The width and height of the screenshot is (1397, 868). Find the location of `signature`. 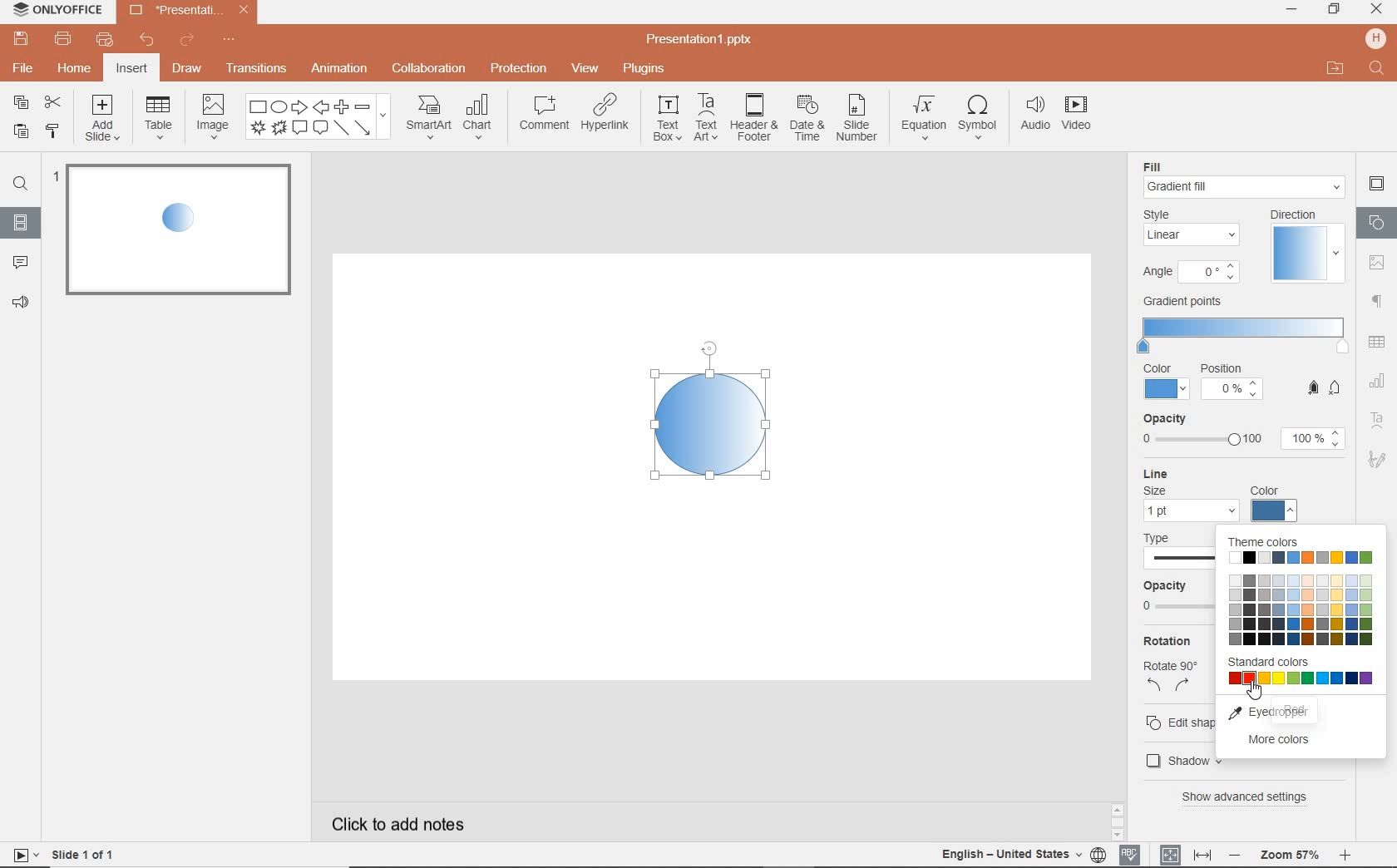

signature is located at coordinates (1376, 458).